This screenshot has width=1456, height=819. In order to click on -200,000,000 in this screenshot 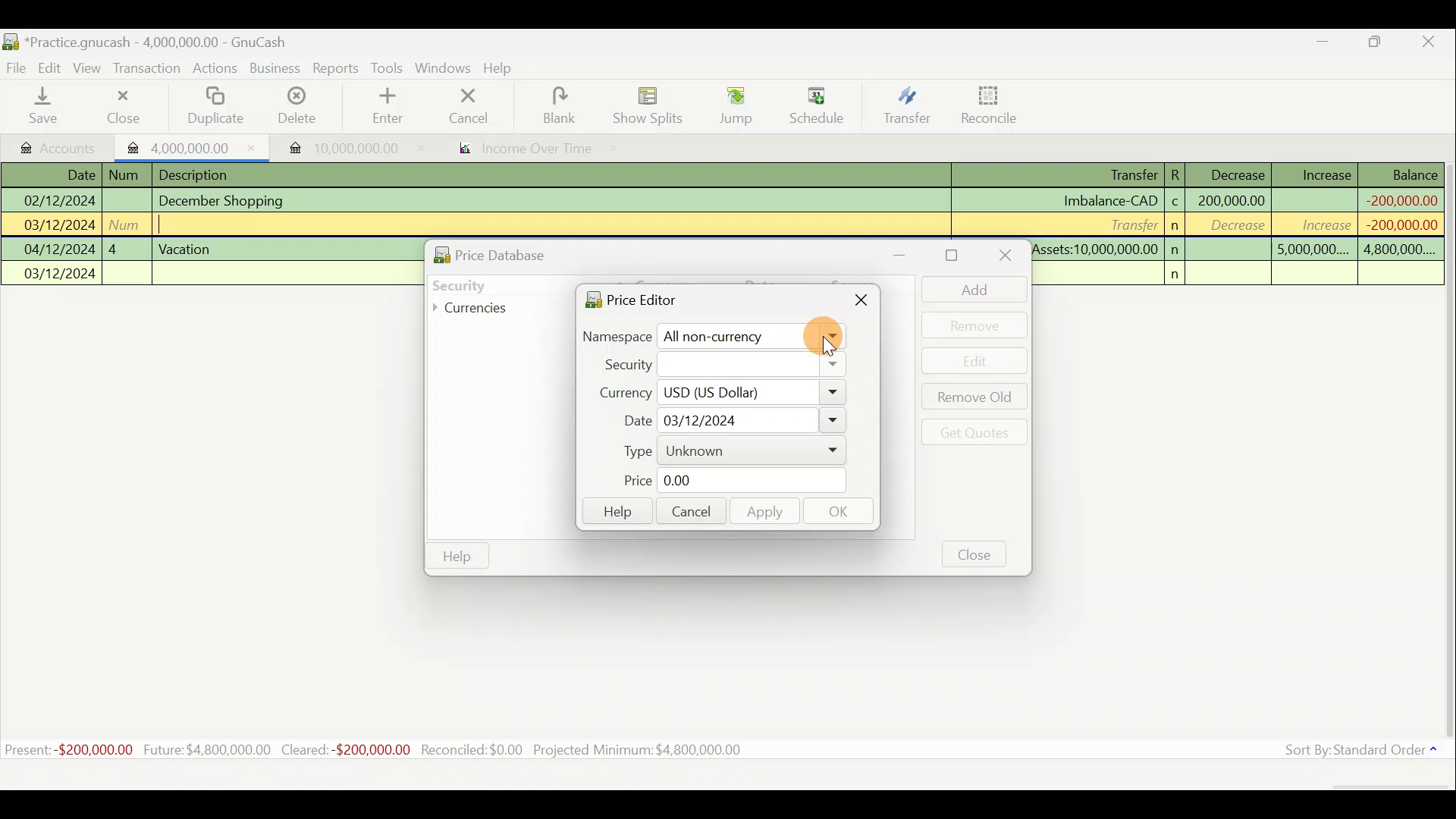, I will do `click(1396, 224)`.